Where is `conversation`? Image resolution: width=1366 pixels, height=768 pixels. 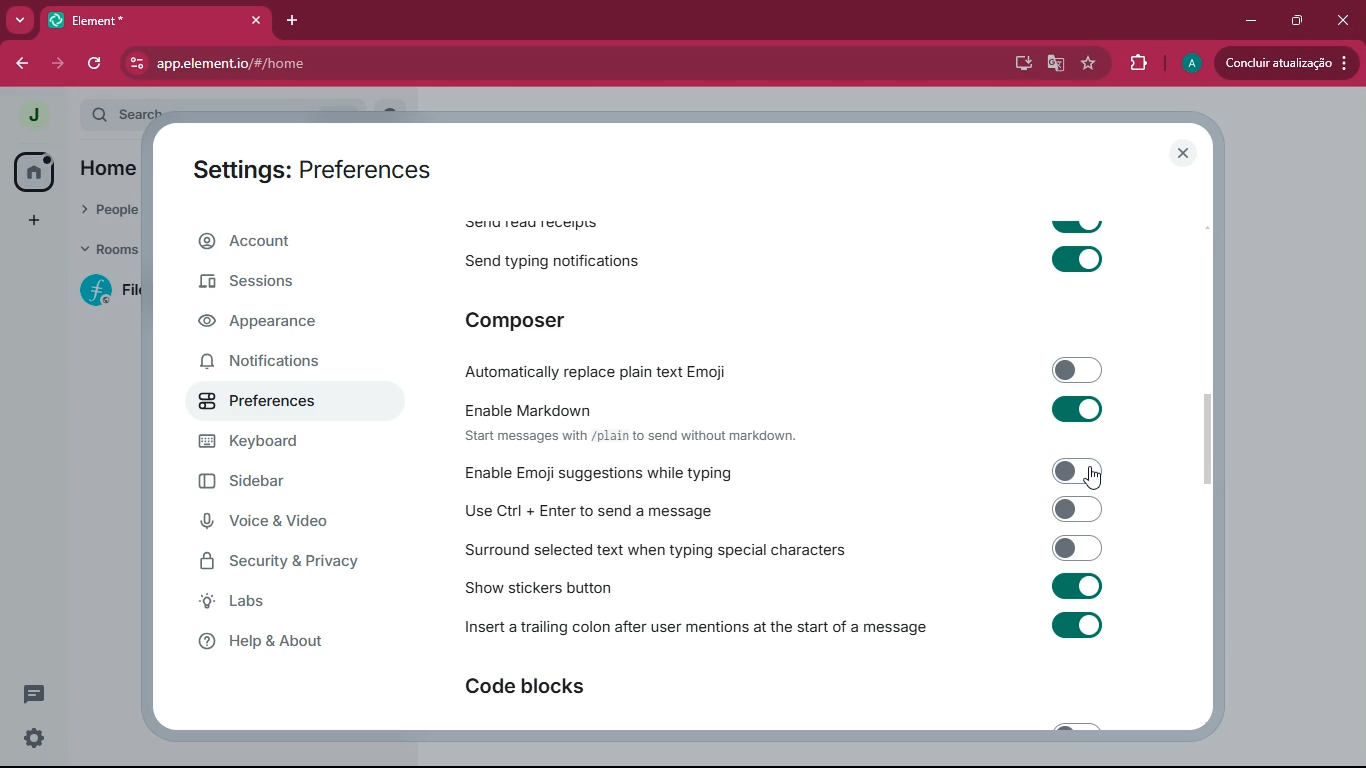 conversation is located at coordinates (38, 693).